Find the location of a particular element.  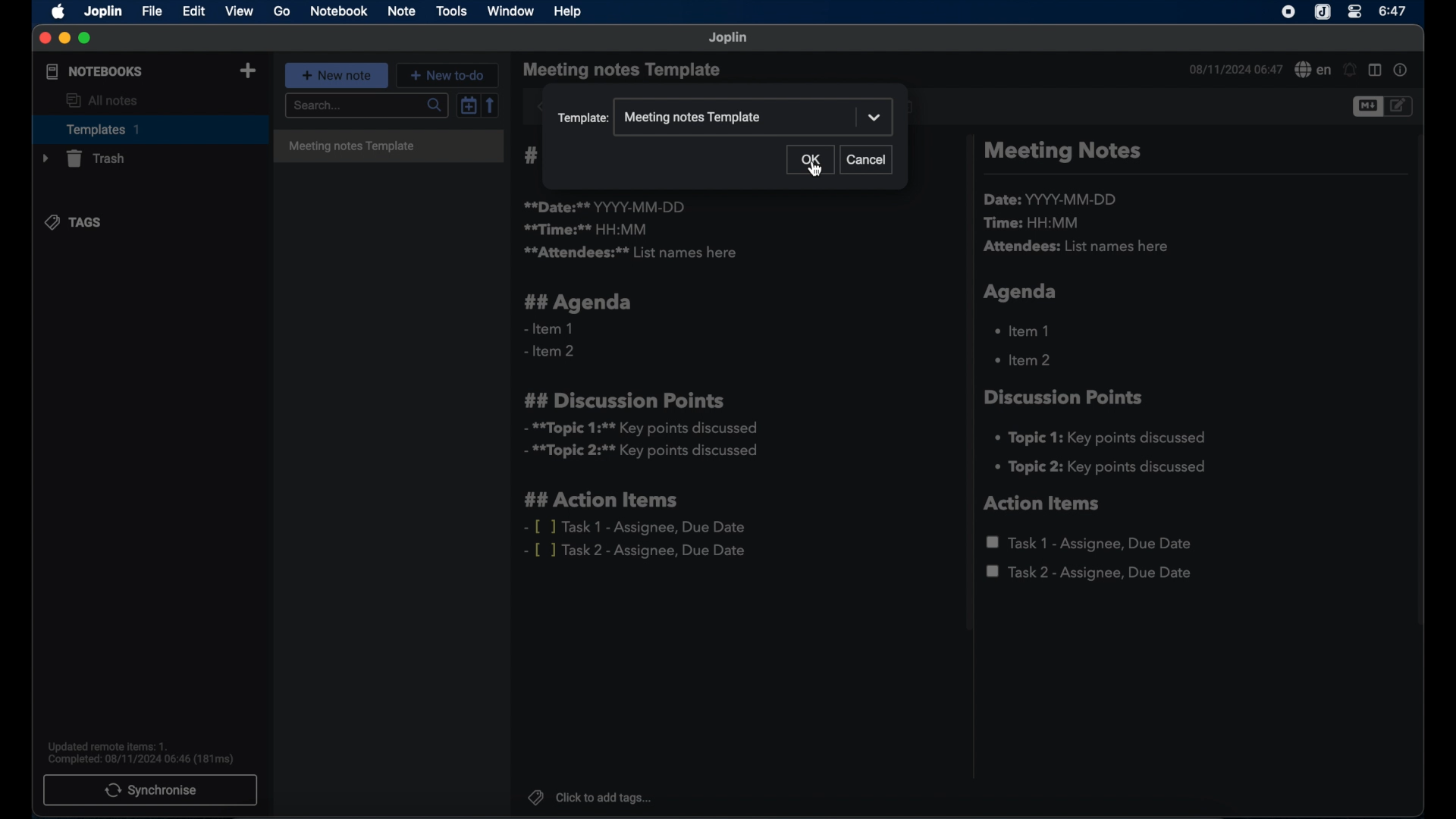

file is located at coordinates (152, 11).